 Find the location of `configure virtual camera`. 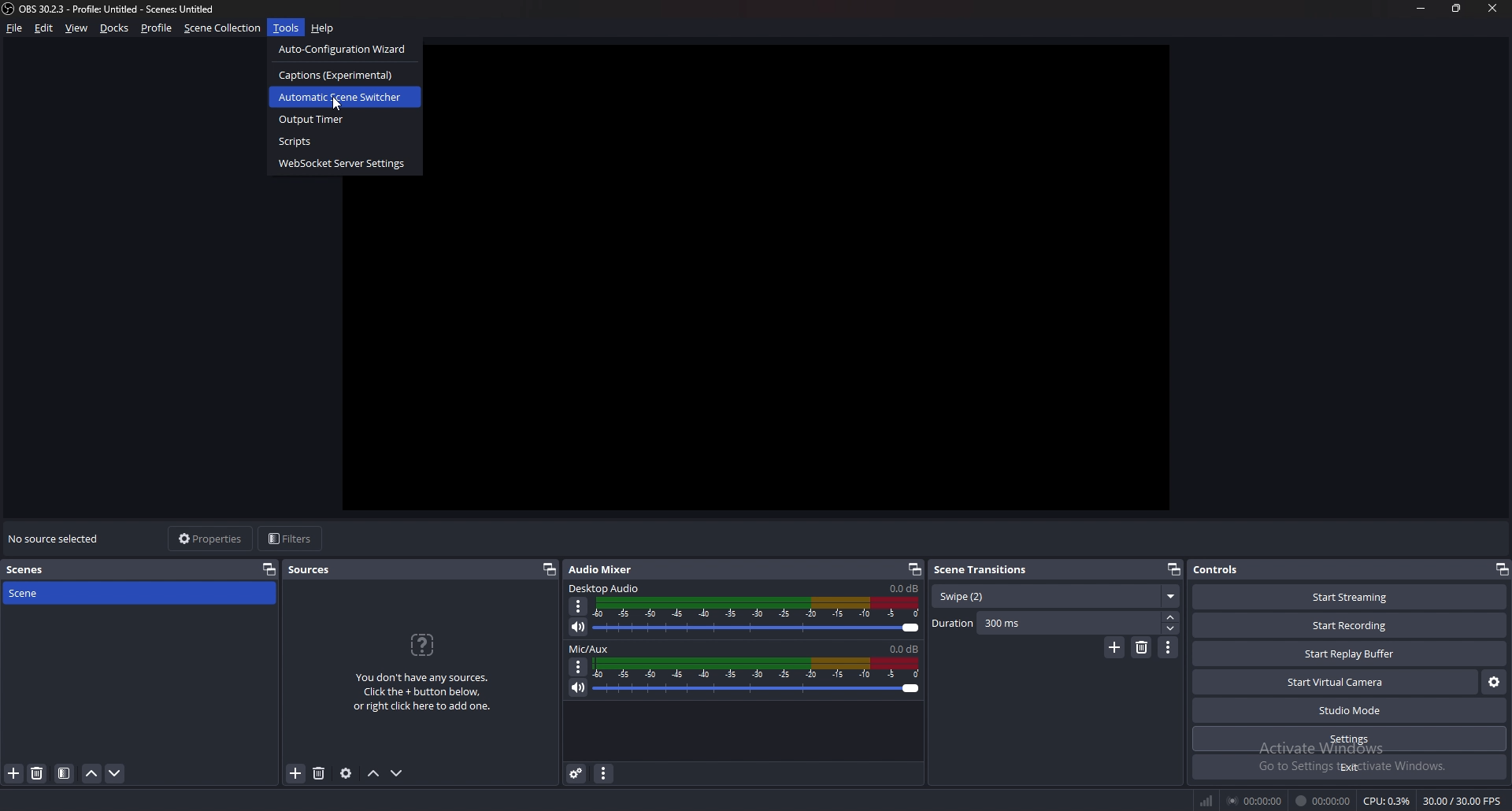

configure virtual camera is located at coordinates (1494, 681).